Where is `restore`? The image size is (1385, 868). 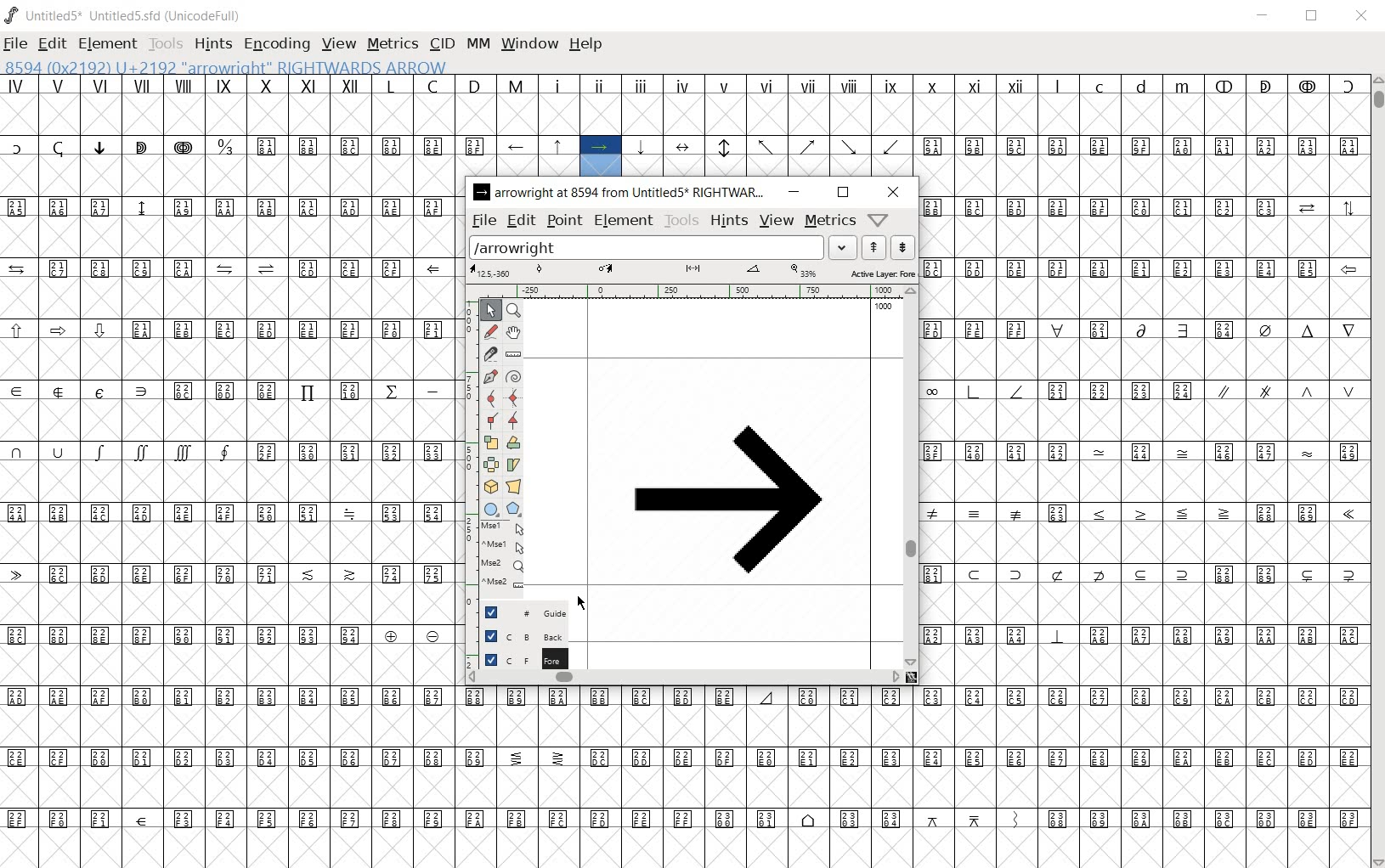
restore is located at coordinates (840, 193).